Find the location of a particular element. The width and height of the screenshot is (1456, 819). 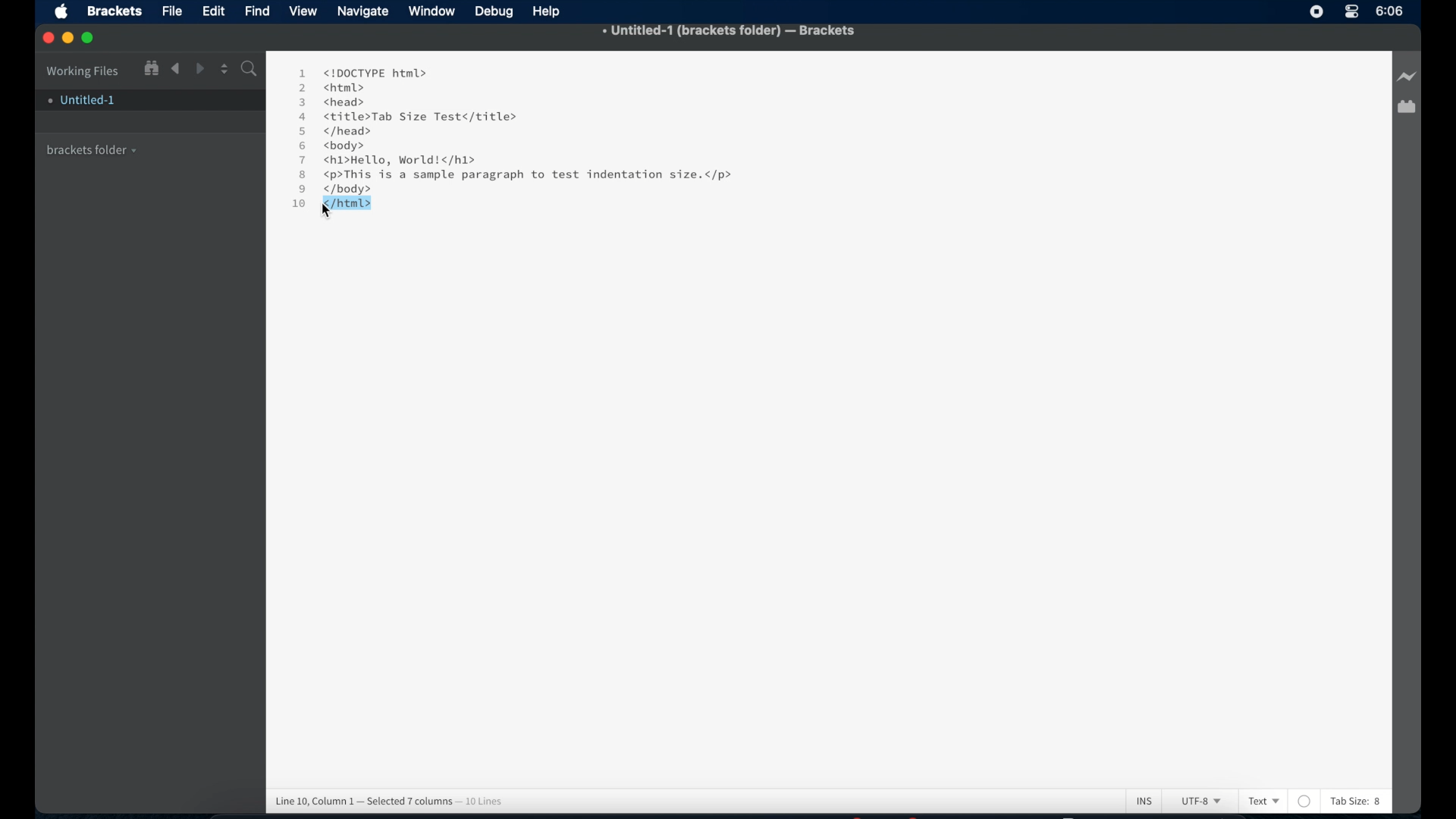

Tab Size is located at coordinates (1348, 801).